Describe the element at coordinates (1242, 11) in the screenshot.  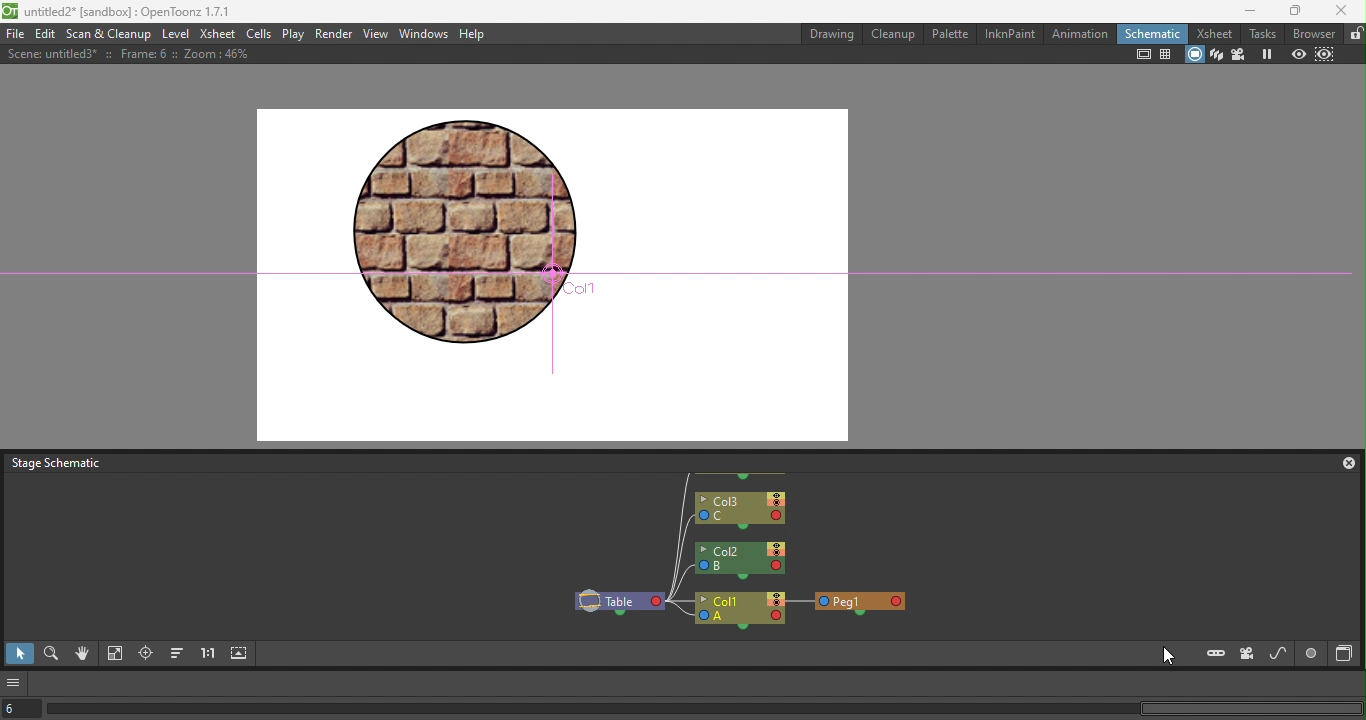
I see `Minimize` at that location.